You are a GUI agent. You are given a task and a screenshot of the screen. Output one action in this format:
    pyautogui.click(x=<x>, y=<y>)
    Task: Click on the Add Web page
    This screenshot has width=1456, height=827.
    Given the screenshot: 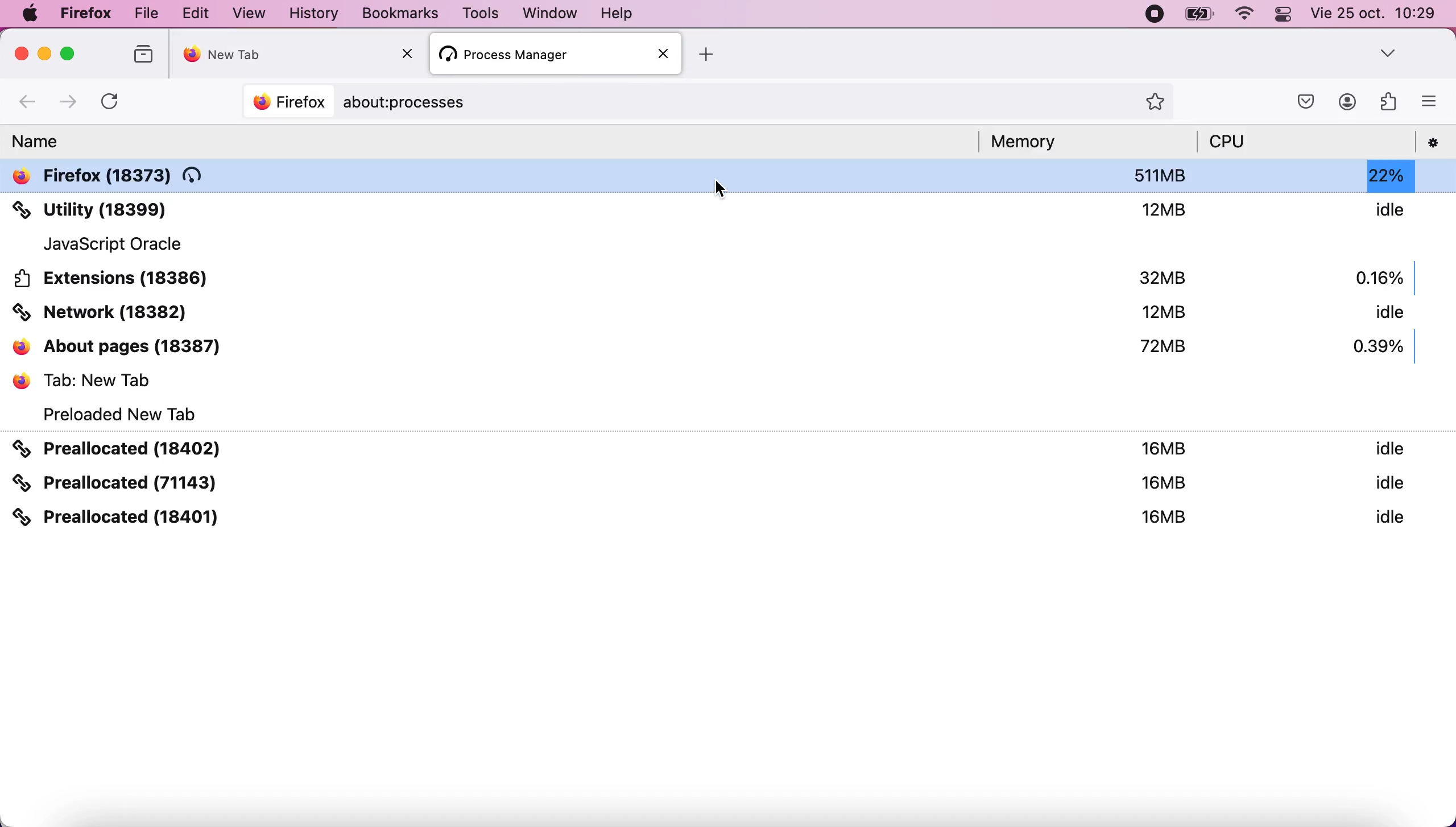 What is the action you would take?
    pyautogui.click(x=707, y=55)
    